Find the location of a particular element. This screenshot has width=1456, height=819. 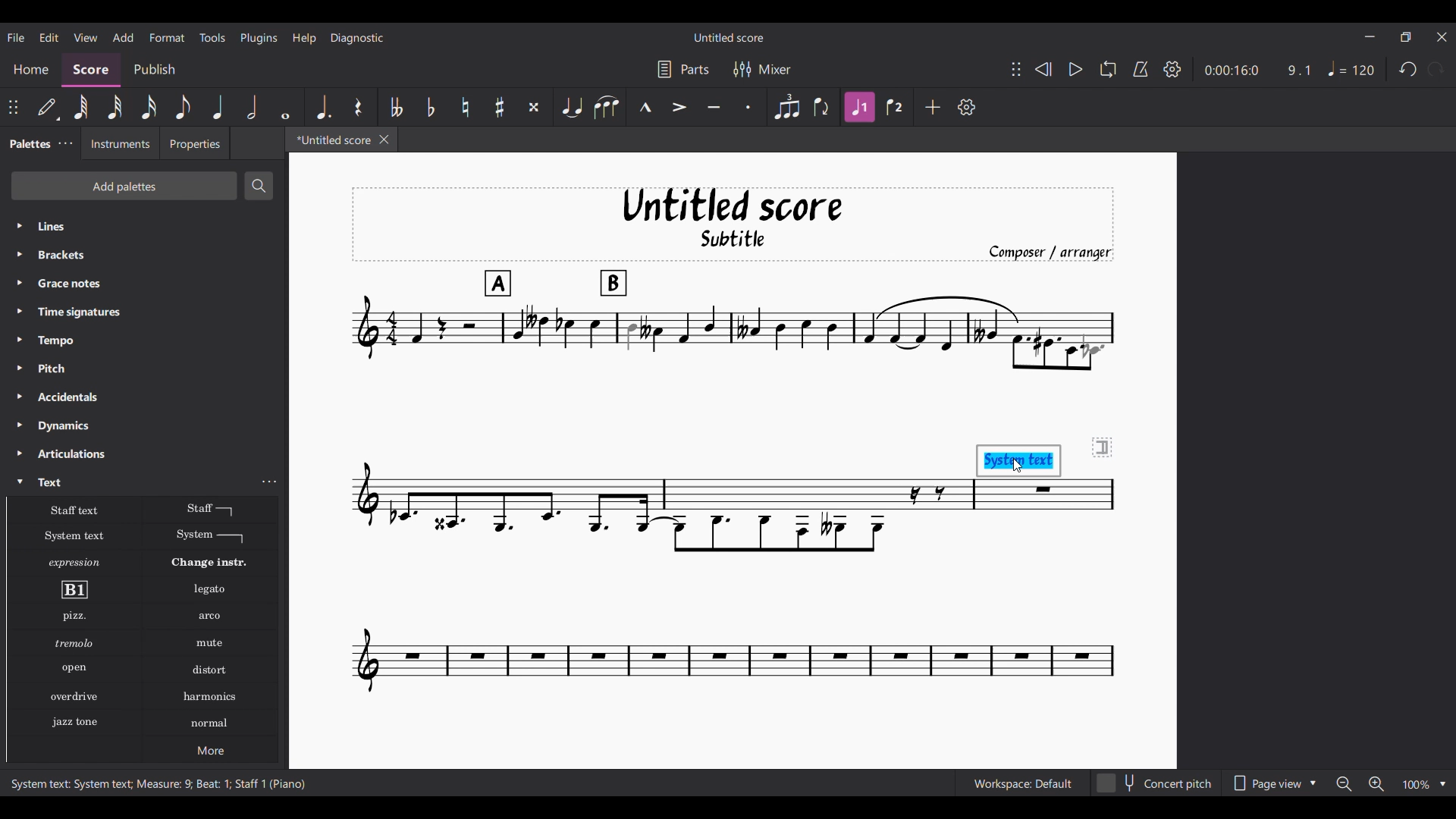

Undo is located at coordinates (1409, 68).